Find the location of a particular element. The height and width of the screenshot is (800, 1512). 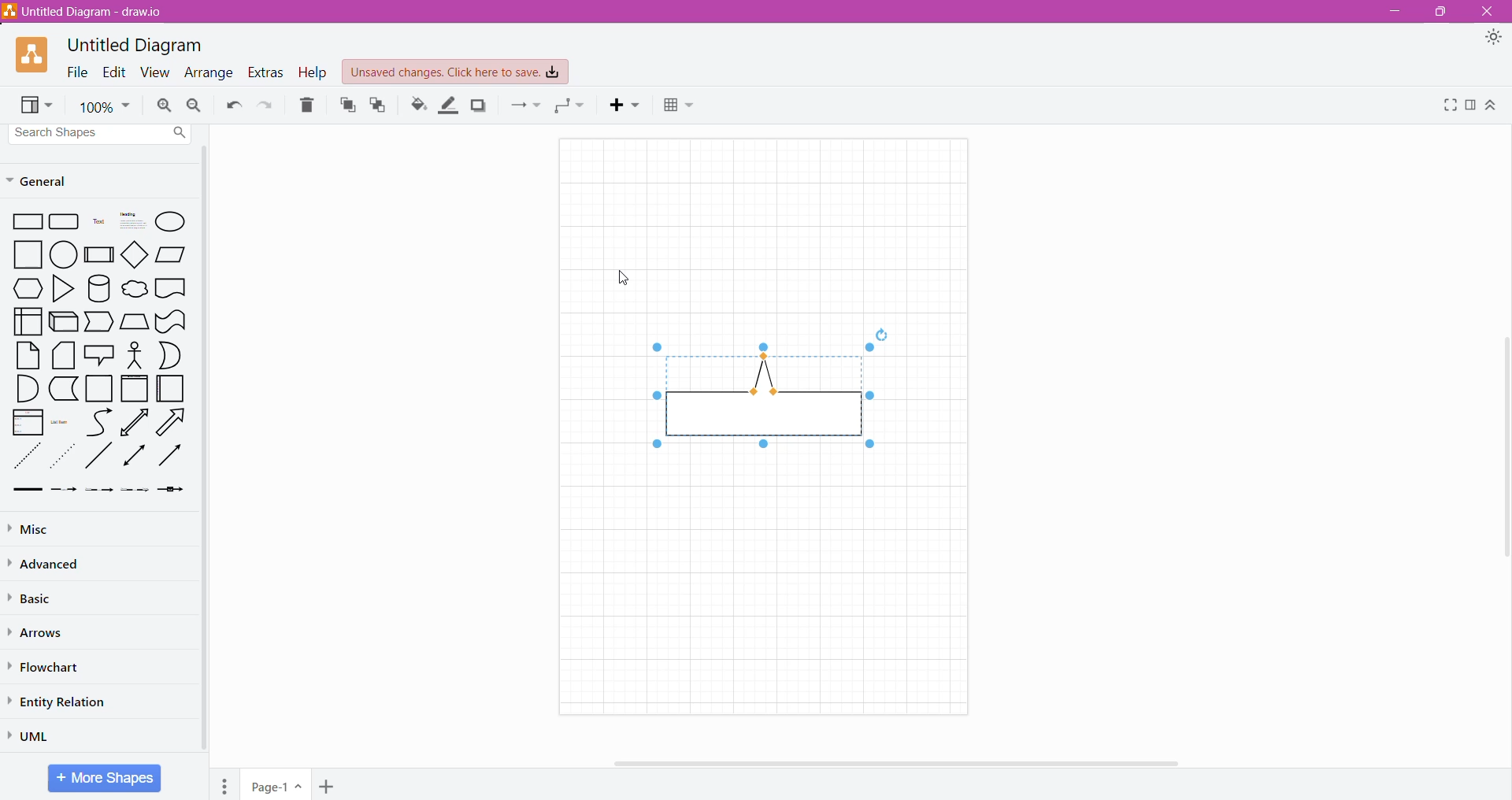

Fullscreen is located at coordinates (1448, 105).